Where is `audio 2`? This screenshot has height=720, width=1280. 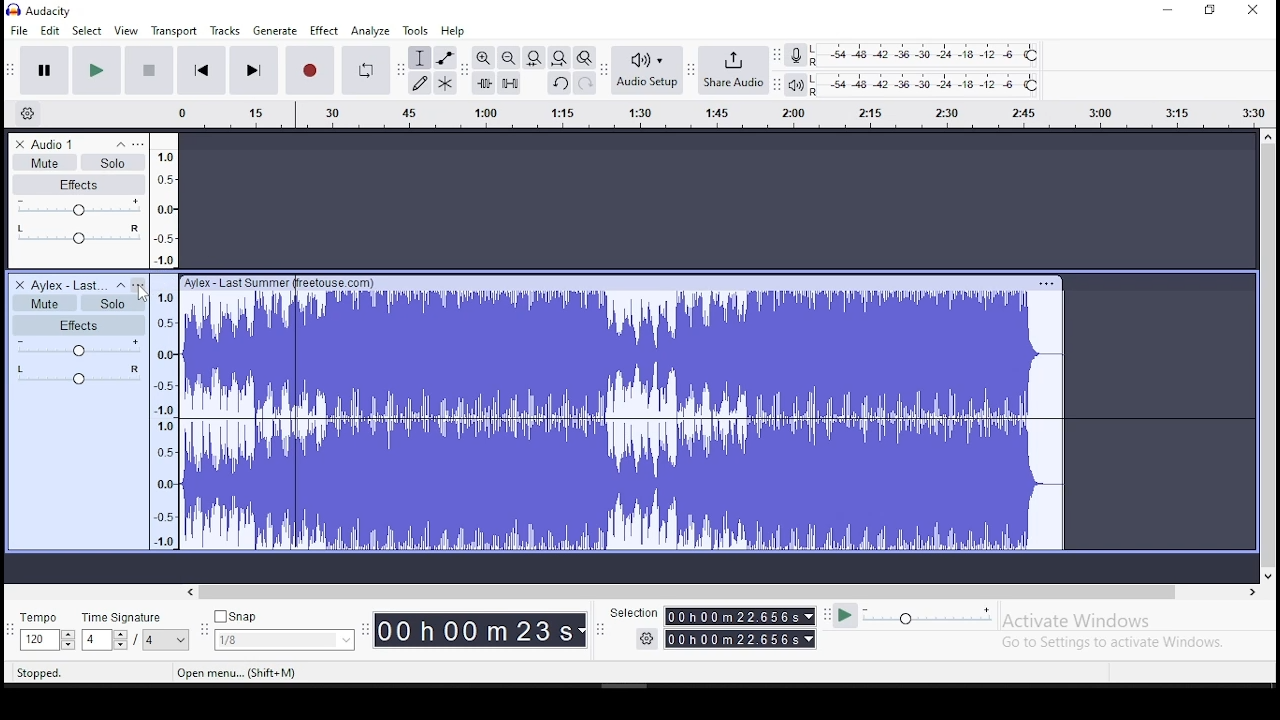
audio 2 is located at coordinates (68, 285).